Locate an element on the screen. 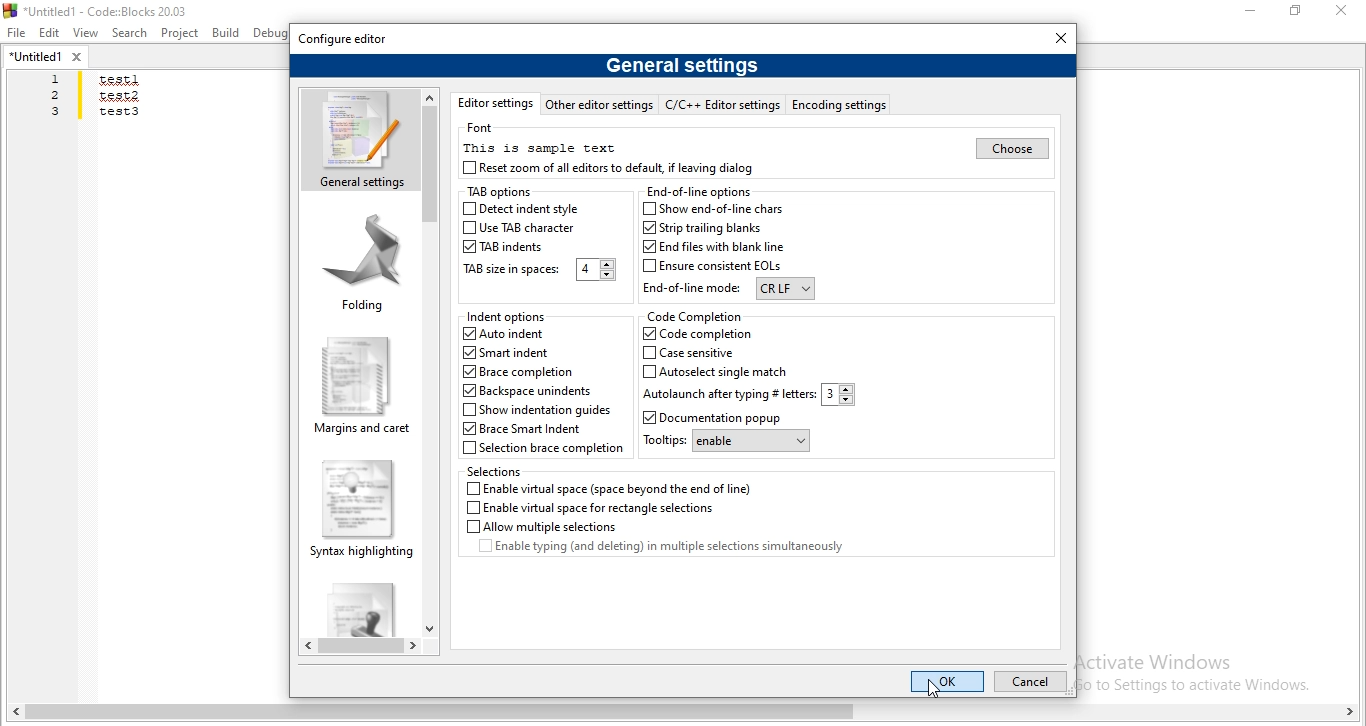 Image resolution: width=1366 pixels, height=726 pixels. cursor on OK is located at coordinates (935, 691).